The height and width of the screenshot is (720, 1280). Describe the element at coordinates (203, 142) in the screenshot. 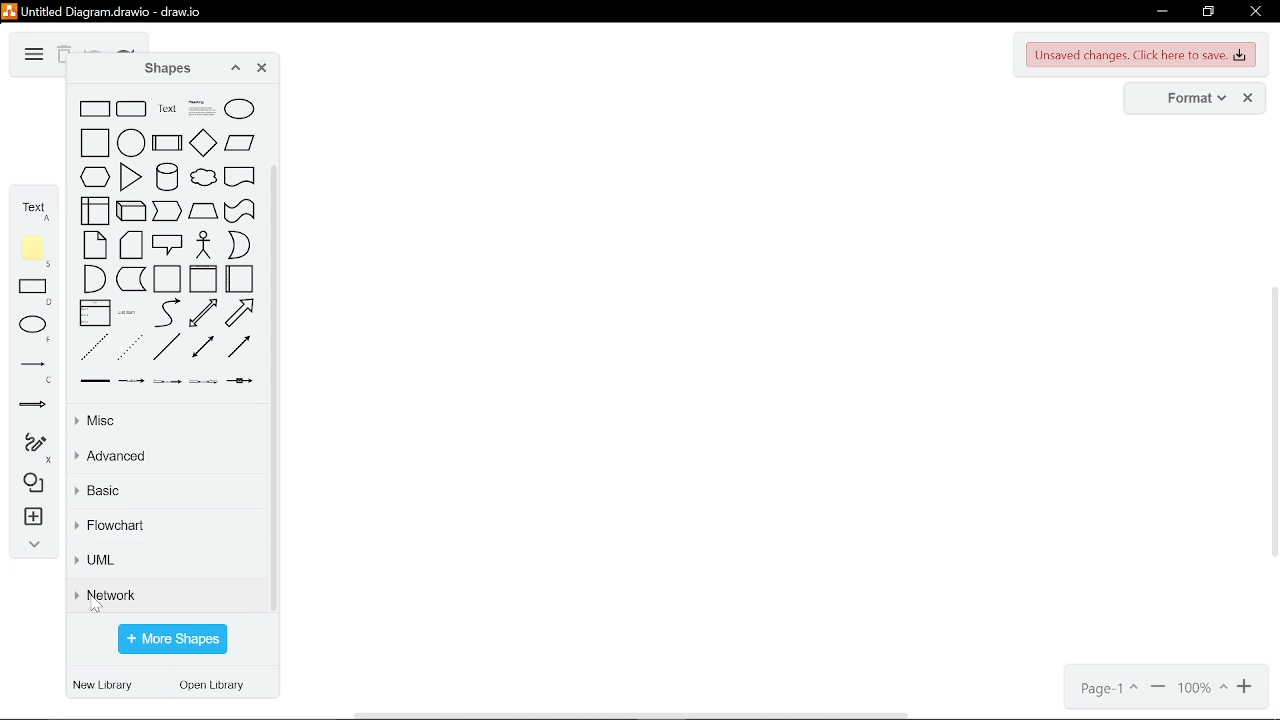

I see `diamond` at that location.